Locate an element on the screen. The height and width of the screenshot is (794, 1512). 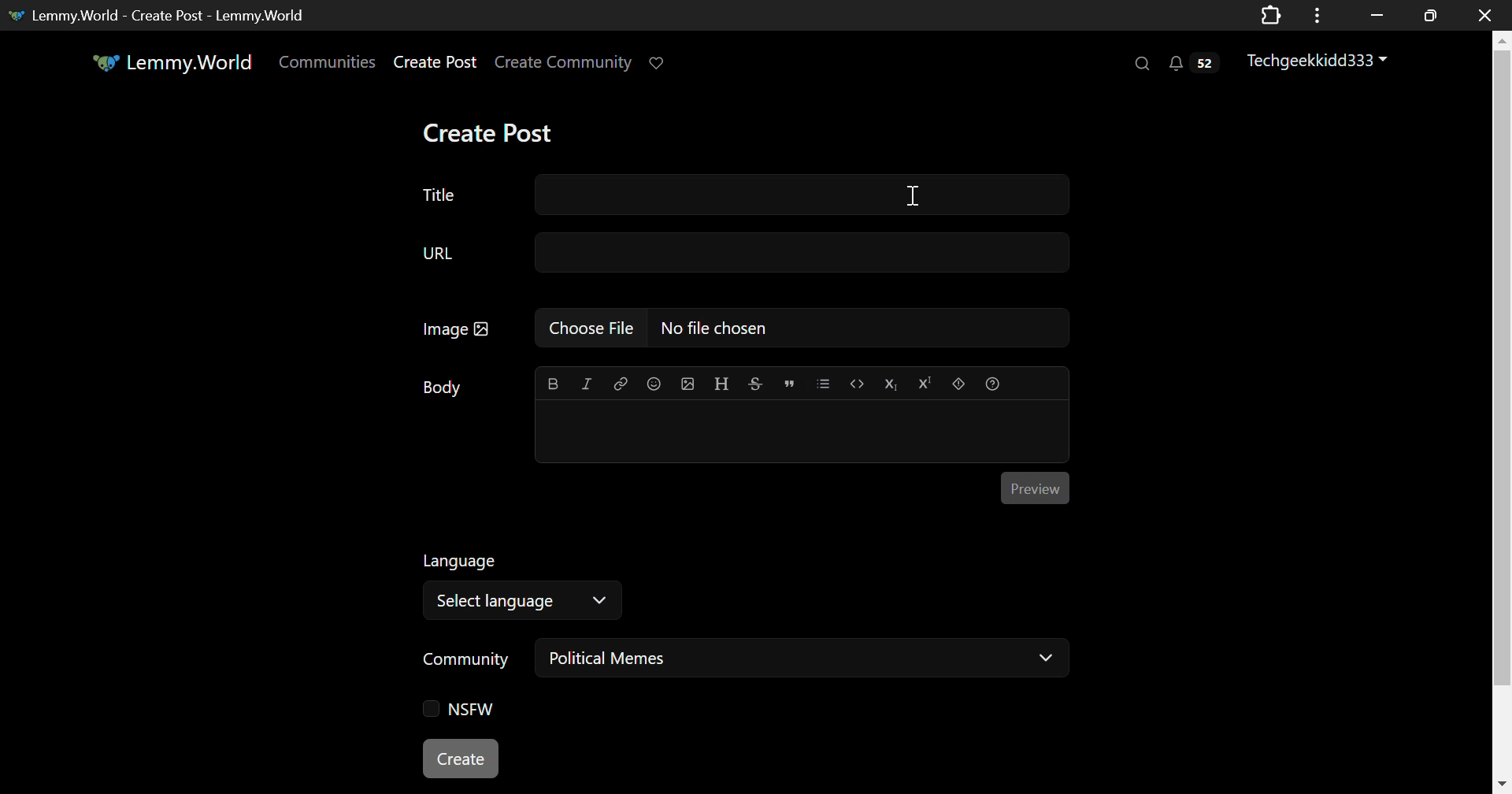
Link is located at coordinates (621, 382).